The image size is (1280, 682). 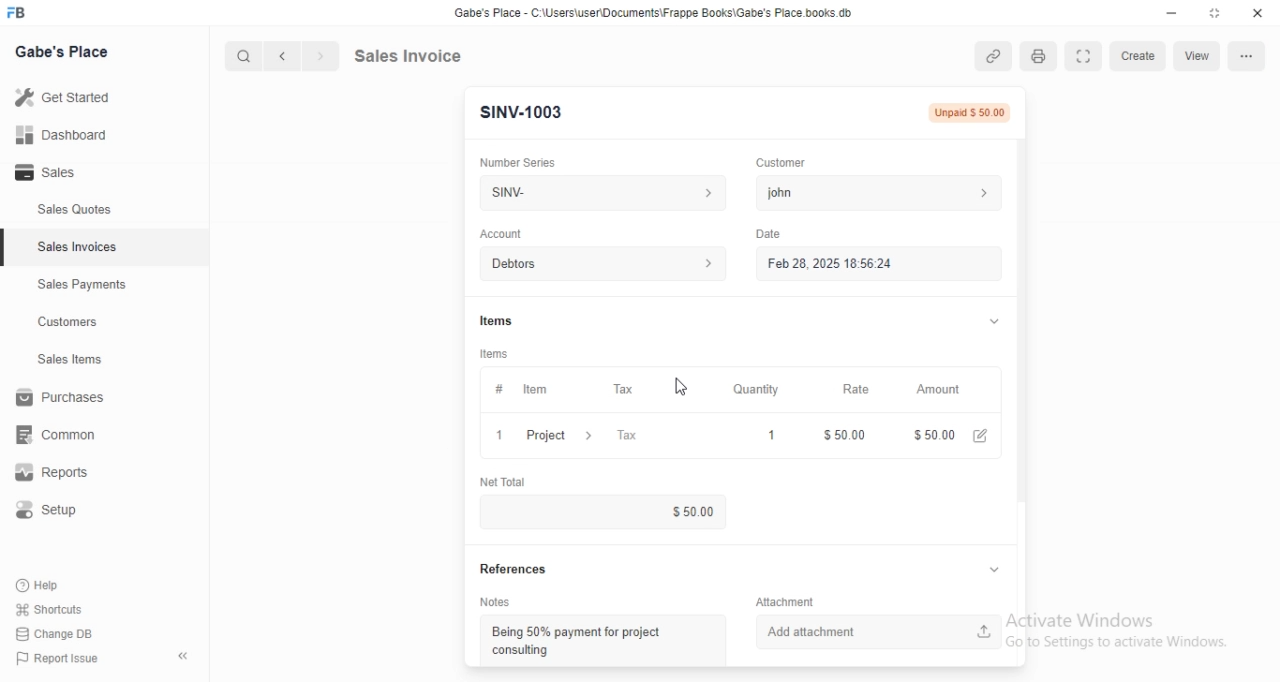 What do you see at coordinates (789, 161) in the screenshot?
I see `Customer` at bounding box center [789, 161].